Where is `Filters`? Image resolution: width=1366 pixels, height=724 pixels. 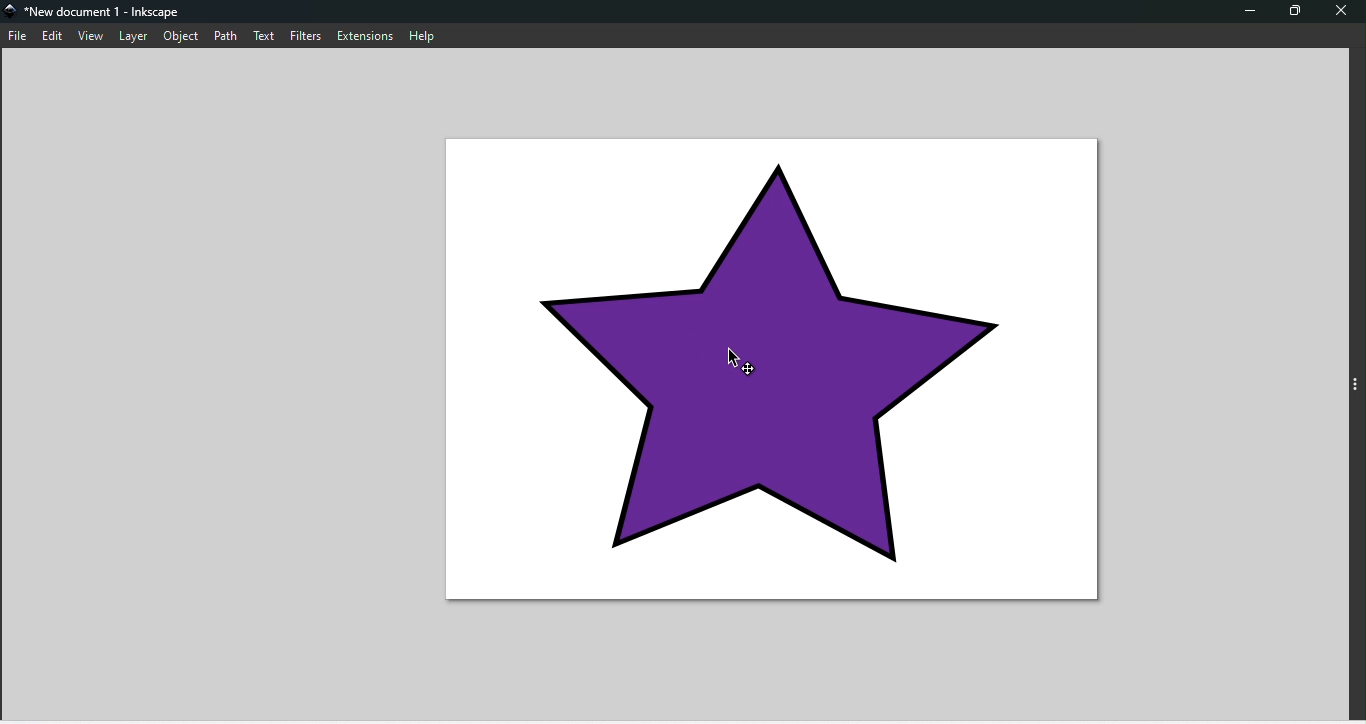
Filters is located at coordinates (310, 37).